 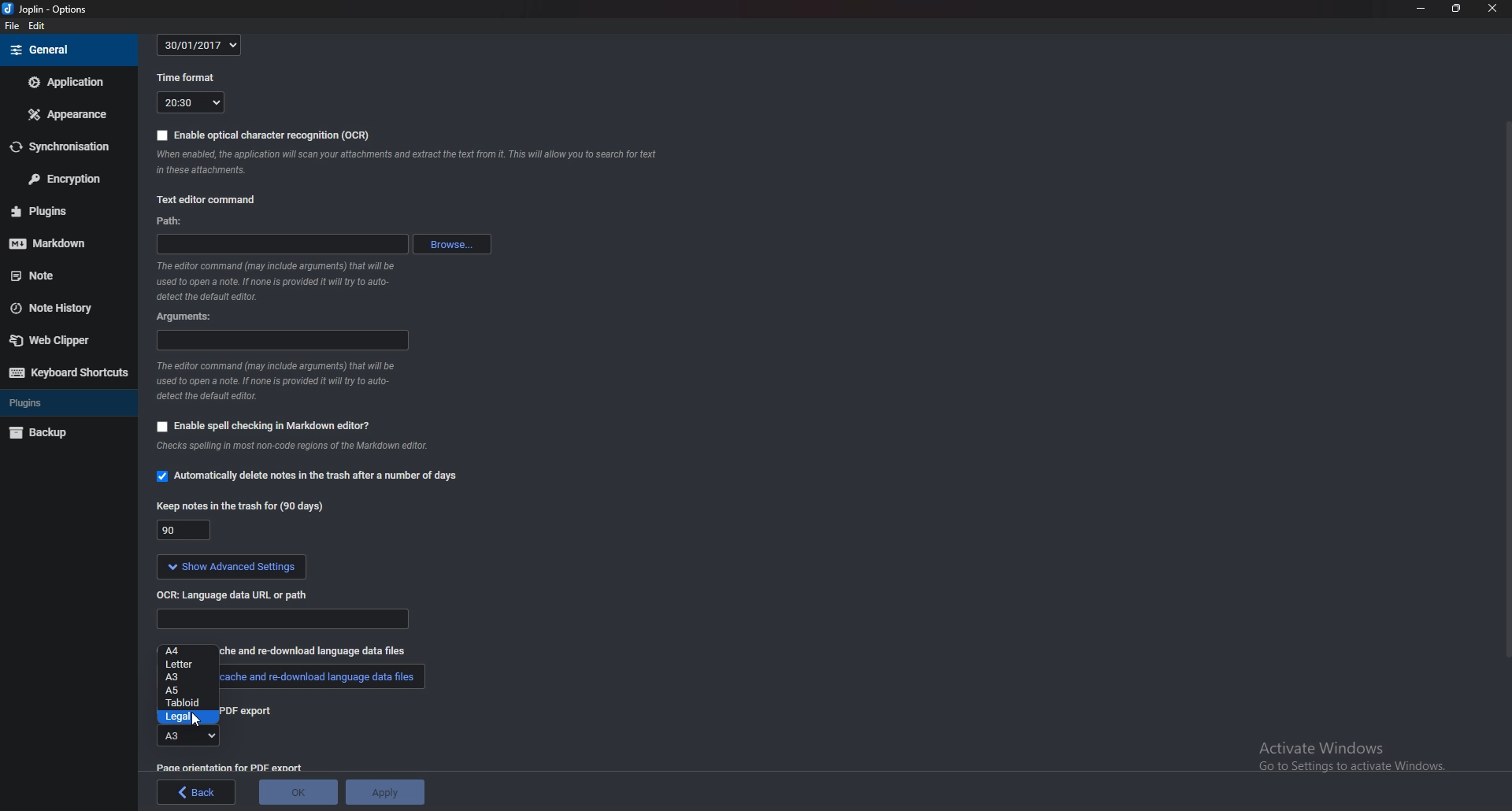 What do you see at coordinates (265, 428) in the screenshot?
I see `Enable spell checking` at bounding box center [265, 428].